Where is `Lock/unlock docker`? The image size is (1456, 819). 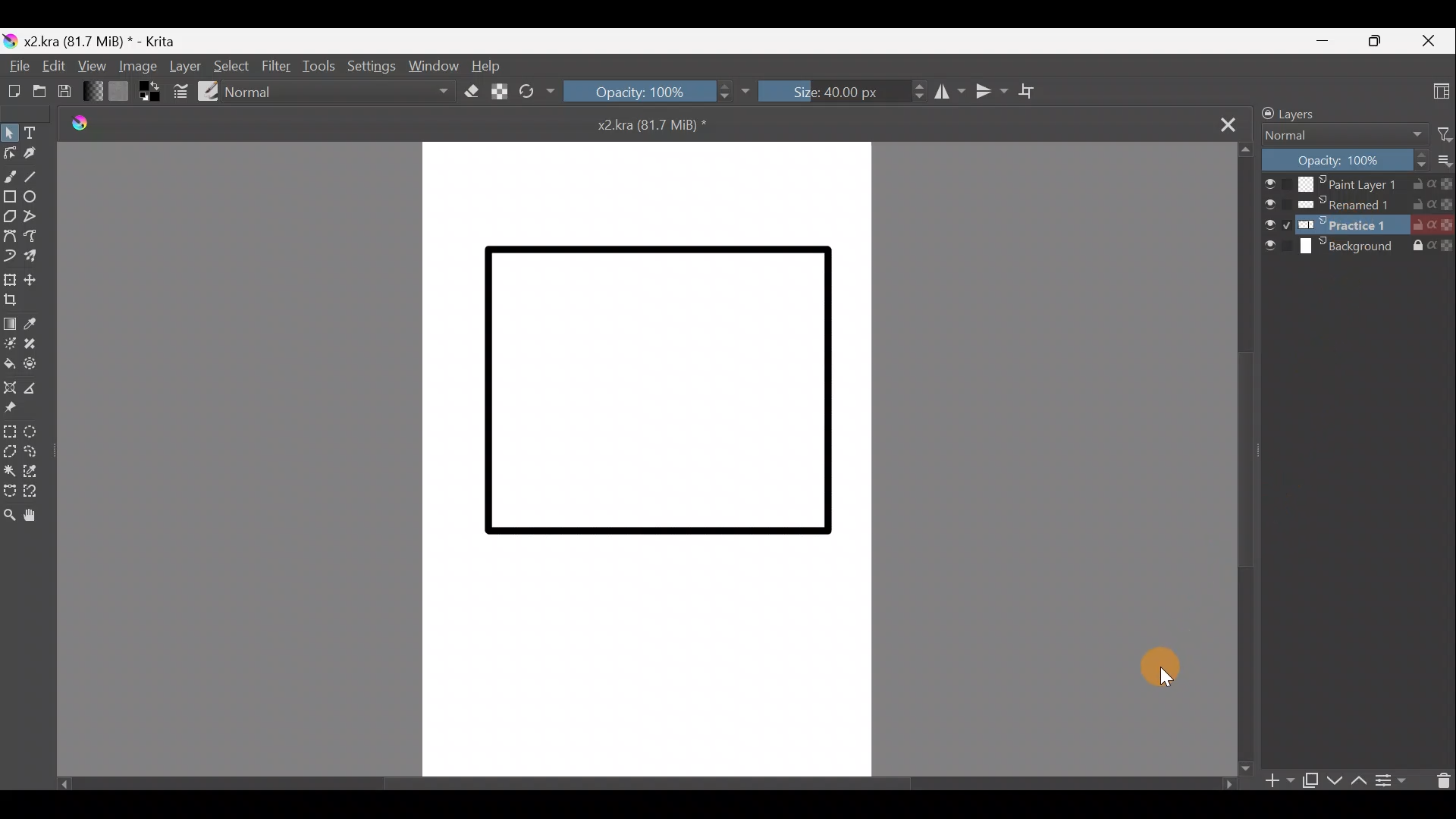 Lock/unlock docker is located at coordinates (1265, 111).